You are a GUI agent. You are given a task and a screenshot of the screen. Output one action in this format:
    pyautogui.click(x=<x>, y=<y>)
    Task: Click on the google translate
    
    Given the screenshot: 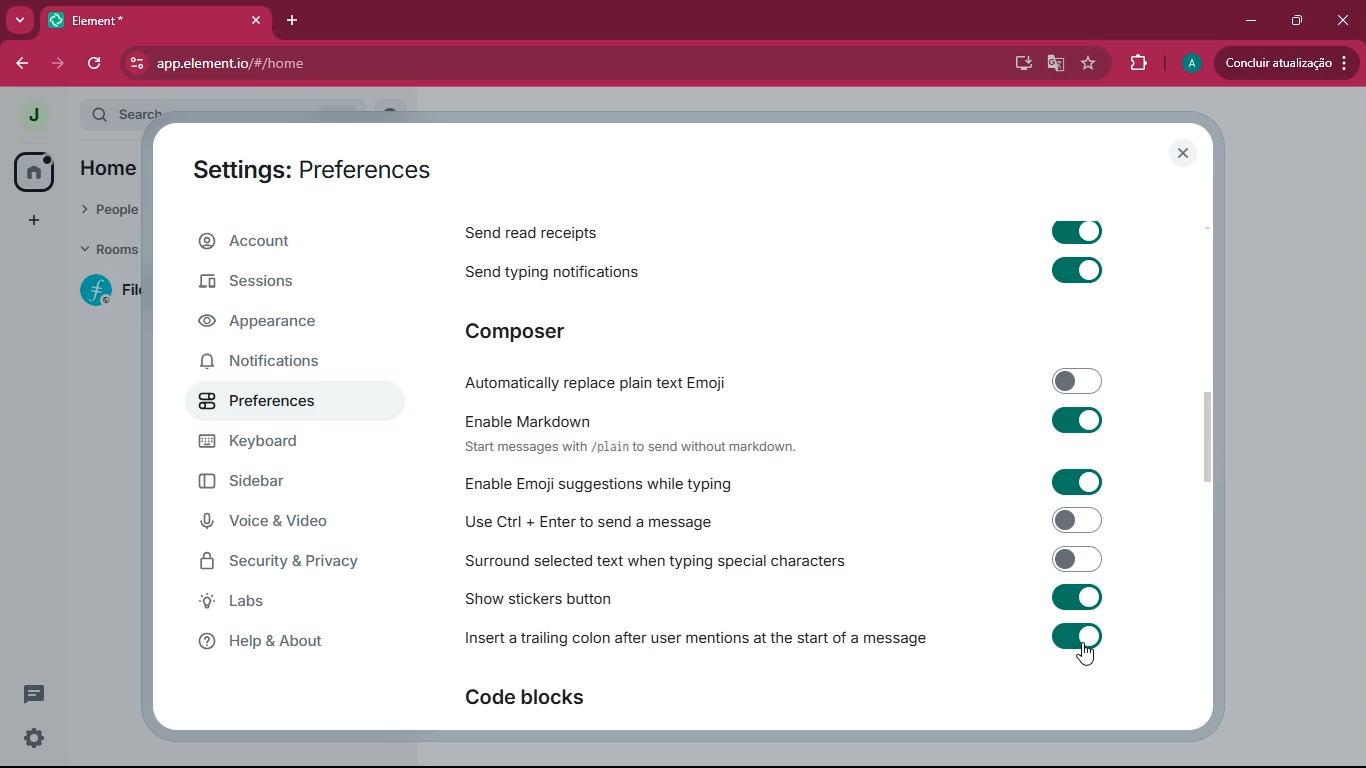 What is the action you would take?
    pyautogui.click(x=1055, y=67)
    